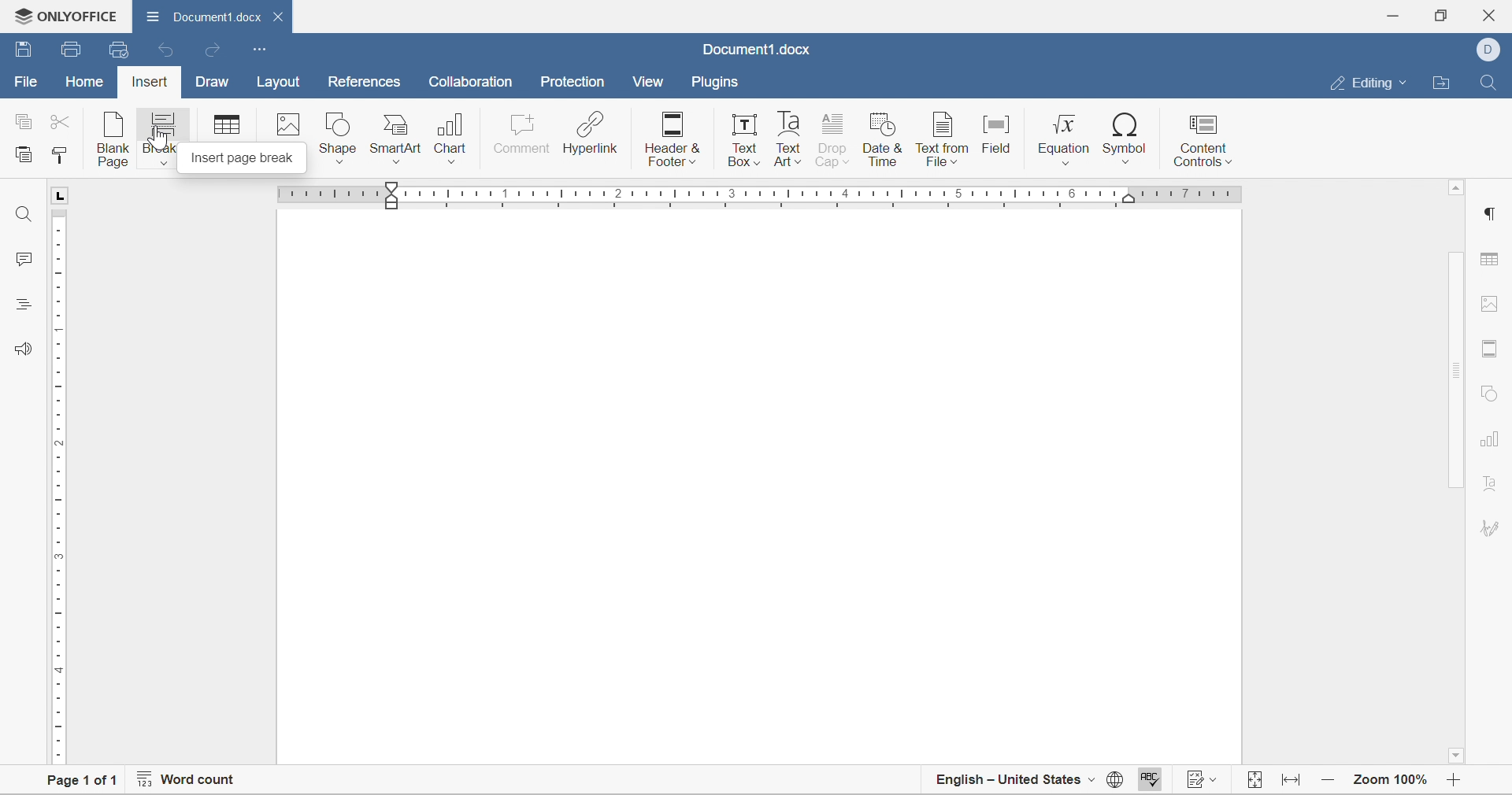 The width and height of the screenshot is (1512, 795). I want to click on Restore down, so click(1443, 15).